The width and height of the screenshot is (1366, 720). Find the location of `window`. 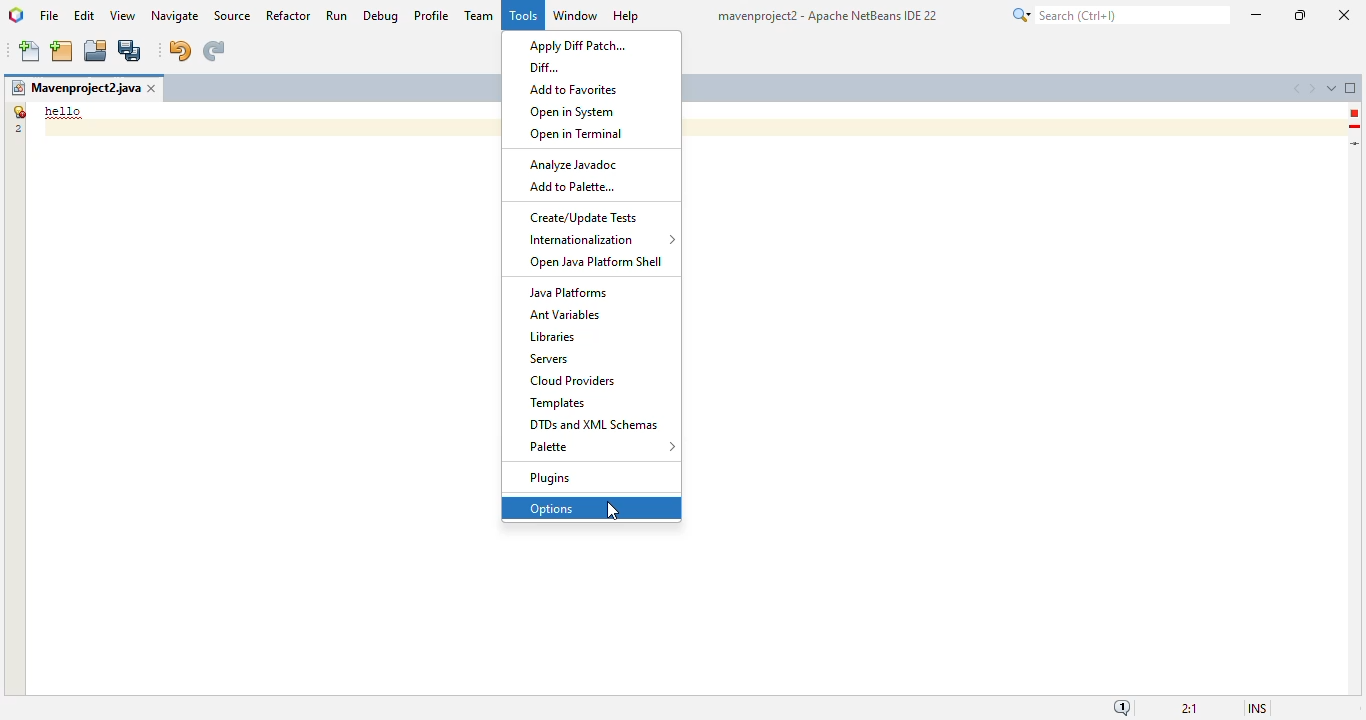

window is located at coordinates (576, 15).